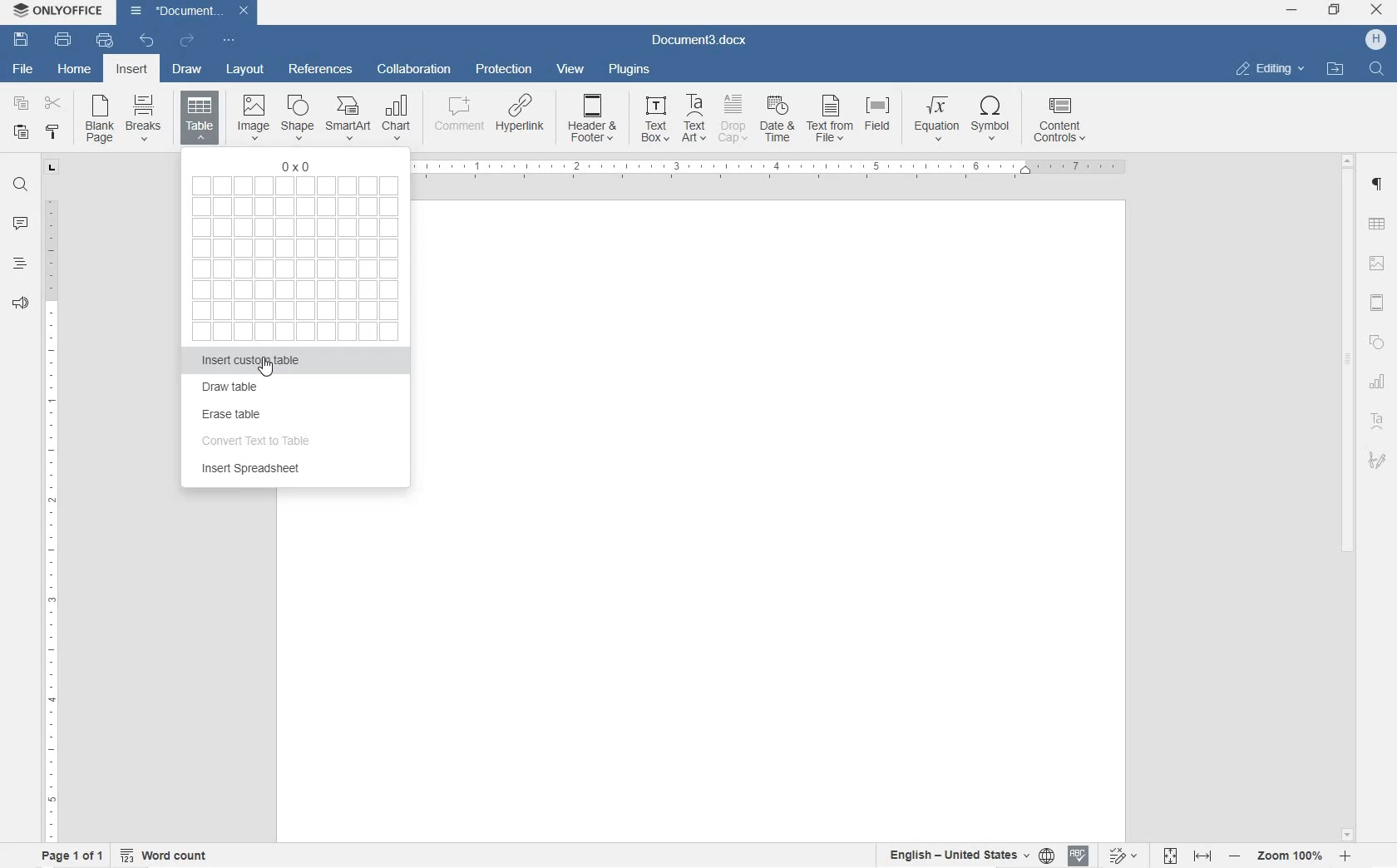  What do you see at coordinates (695, 118) in the screenshot?
I see `TextArt` at bounding box center [695, 118].